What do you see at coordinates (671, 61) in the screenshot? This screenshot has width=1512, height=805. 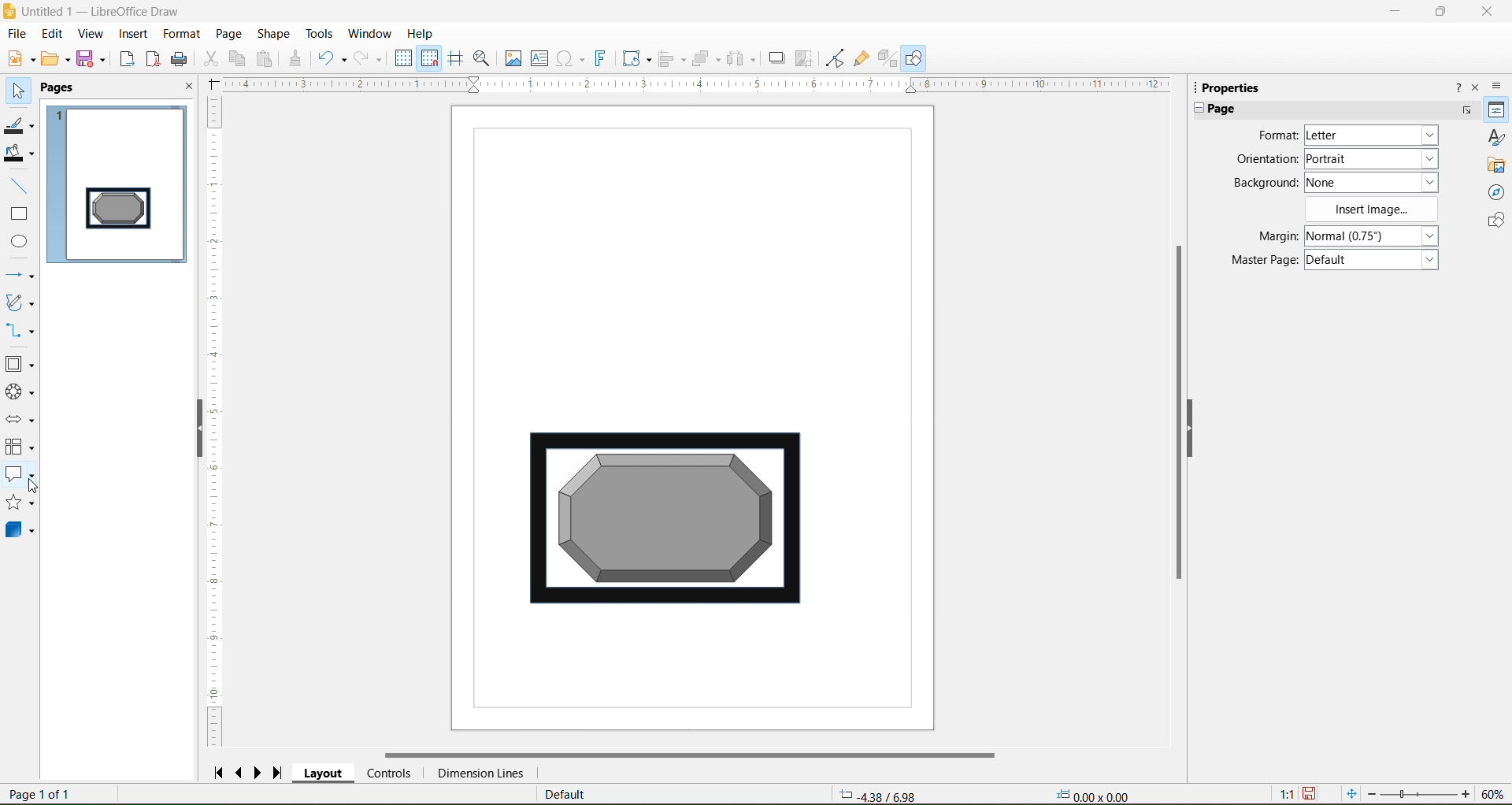 I see `Align Objects` at bounding box center [671, 61].